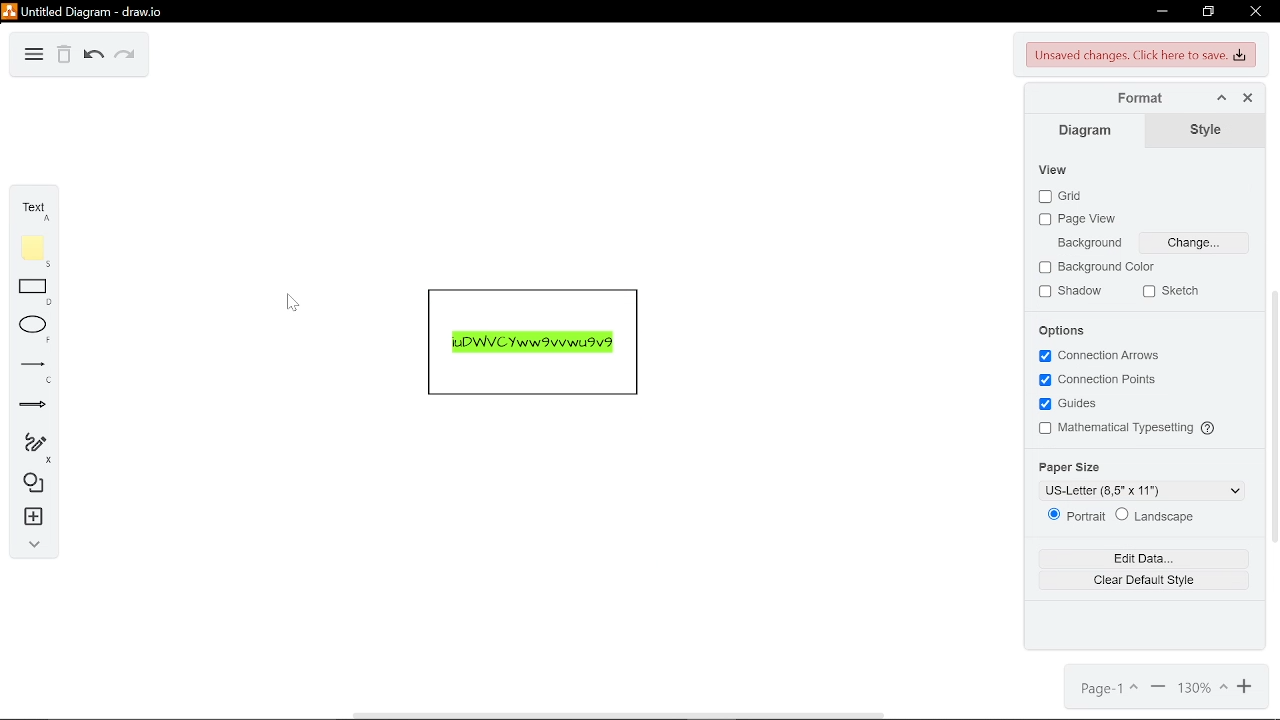 The width and height of the screenshot is (1280, 720). Describe the element at coordinates (1078, 516) in the screenshot. I see `portrait` at that location.